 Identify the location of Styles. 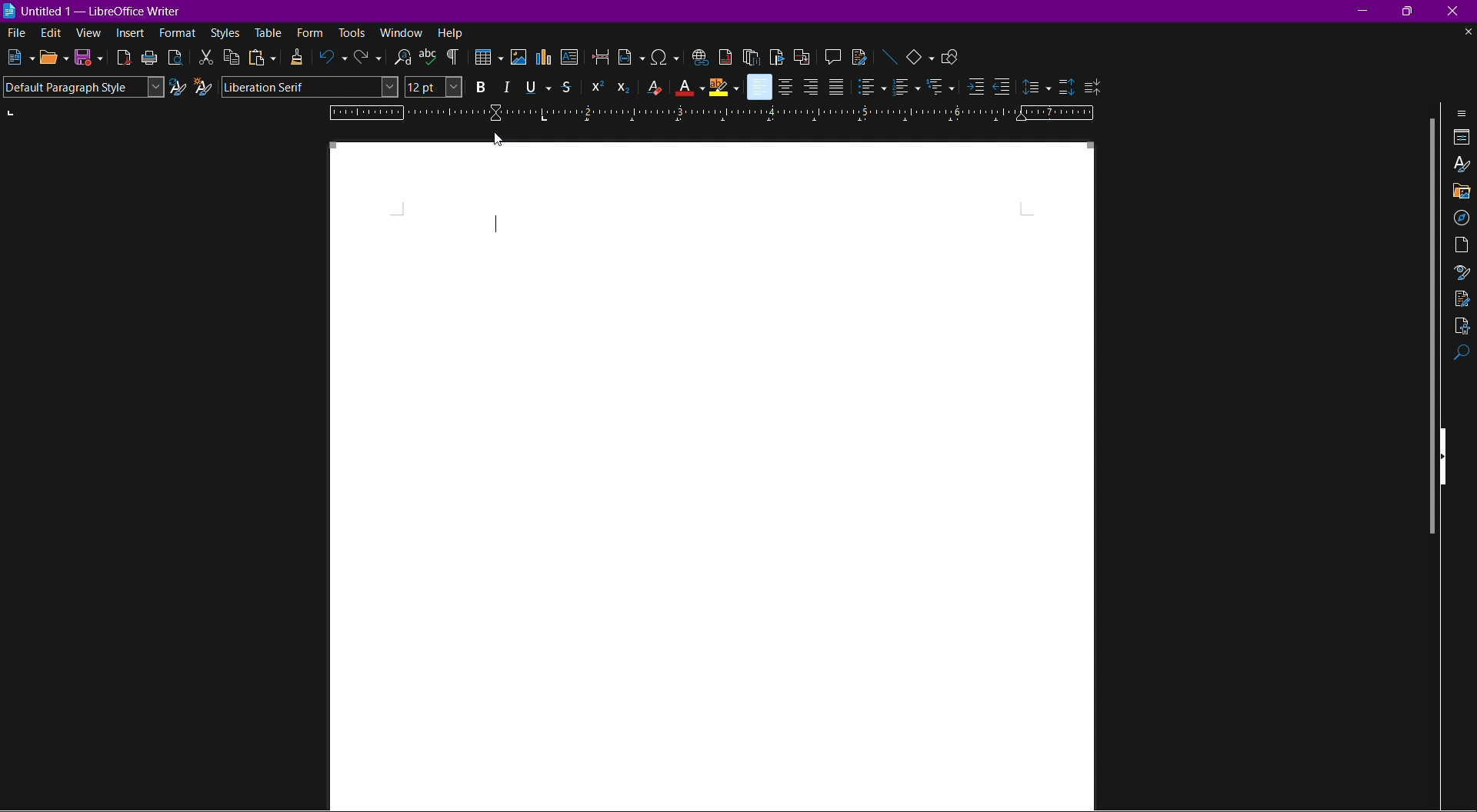
(1462, 166).